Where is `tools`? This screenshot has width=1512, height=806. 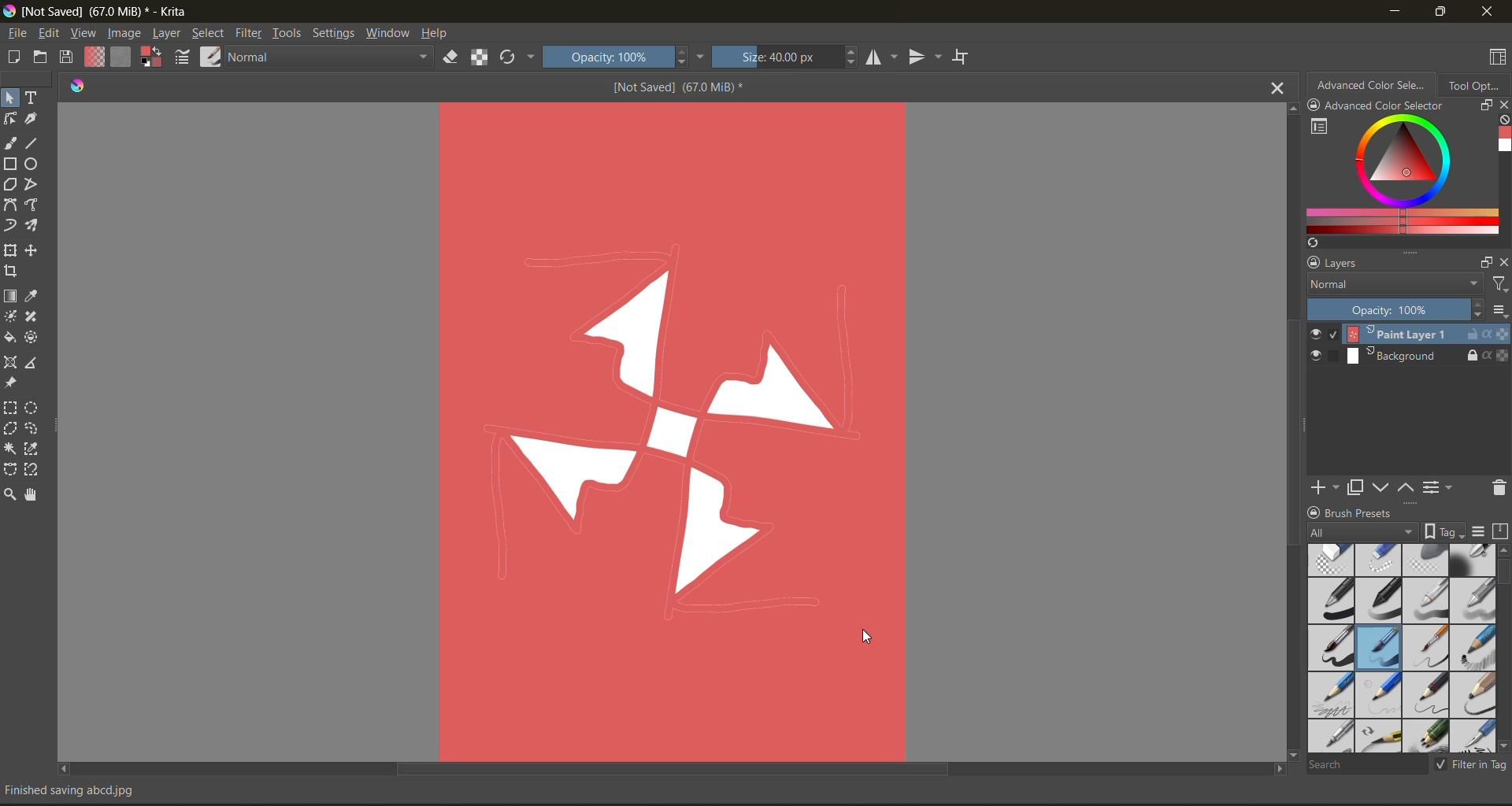
tools is located at coordinates (35, 205).